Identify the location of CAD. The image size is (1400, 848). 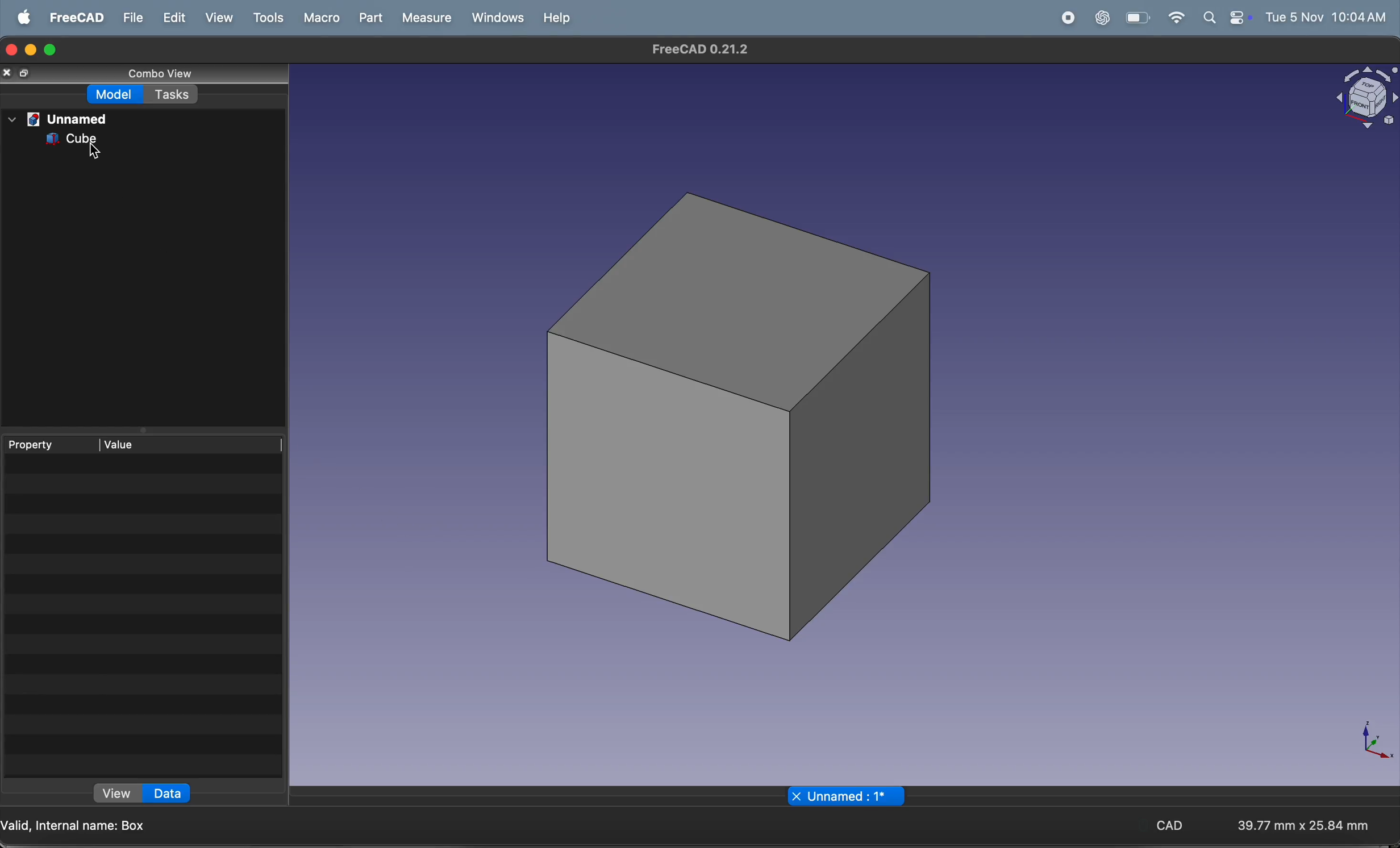
(1164, 825).